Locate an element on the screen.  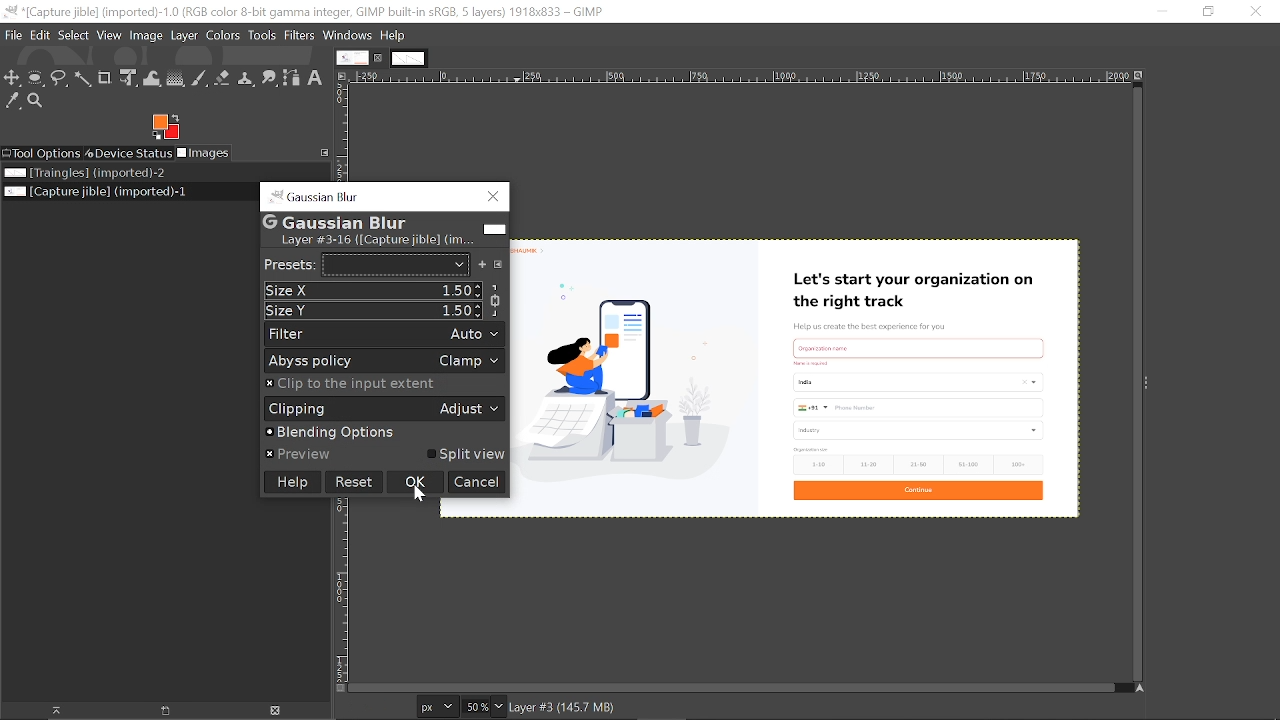
Select is located at coordinates (74, 37).